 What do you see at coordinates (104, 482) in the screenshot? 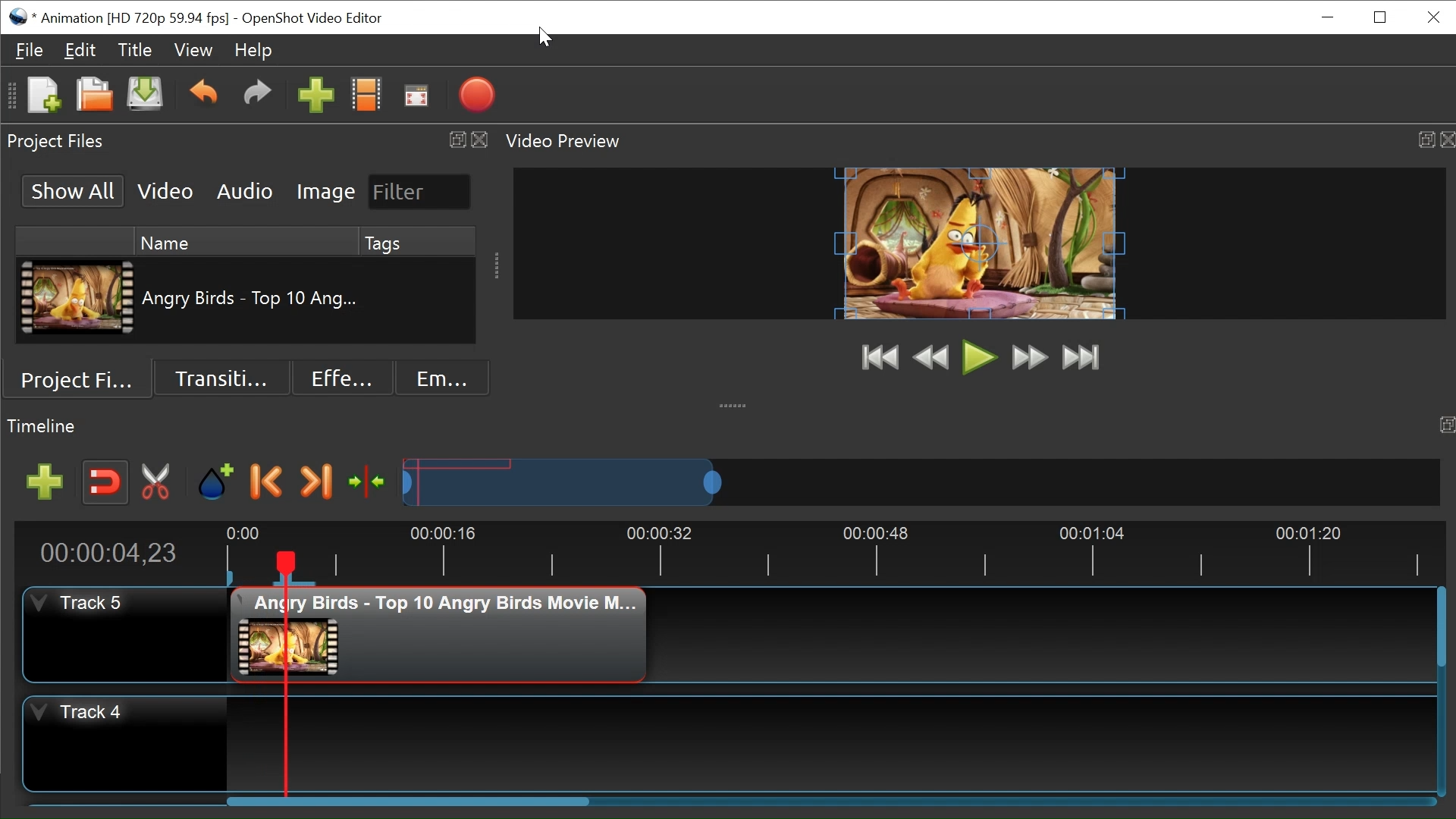
I see `Snap` at bounding box center [104, 482].